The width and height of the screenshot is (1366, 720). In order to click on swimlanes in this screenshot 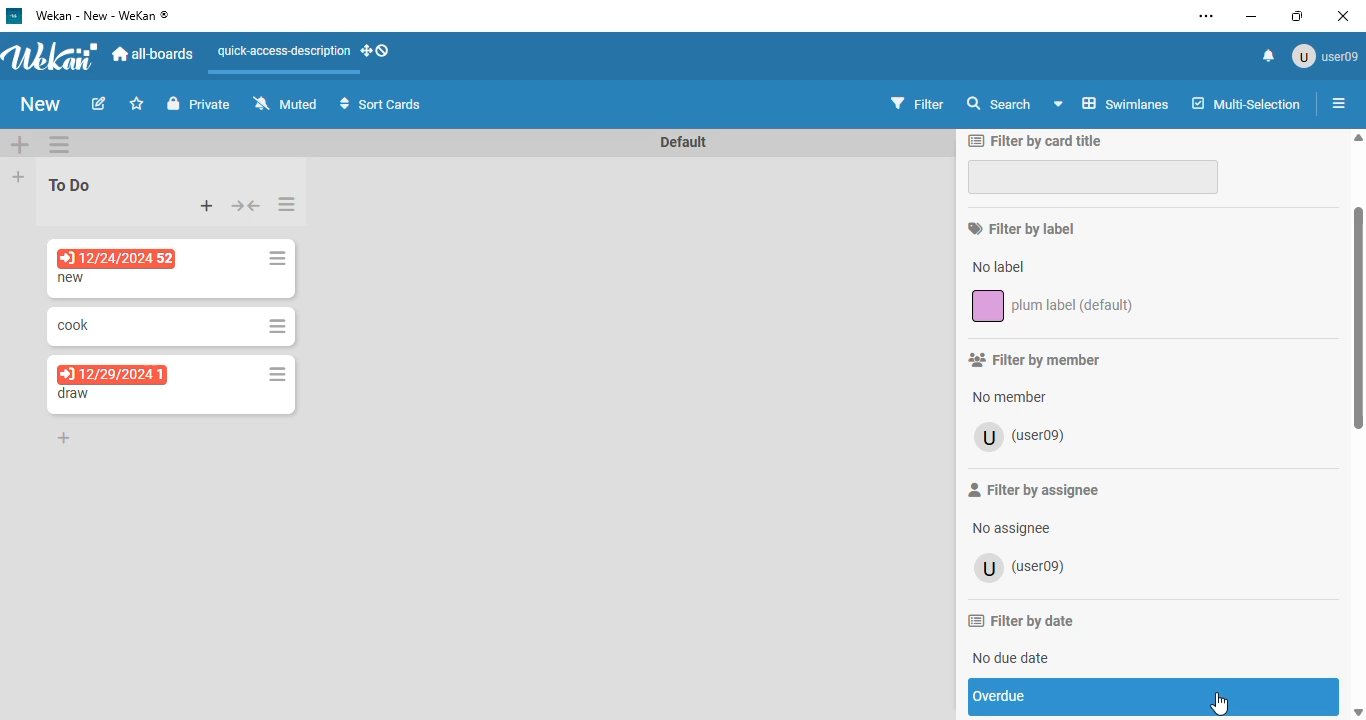, I will do `click(1112, 103)`.